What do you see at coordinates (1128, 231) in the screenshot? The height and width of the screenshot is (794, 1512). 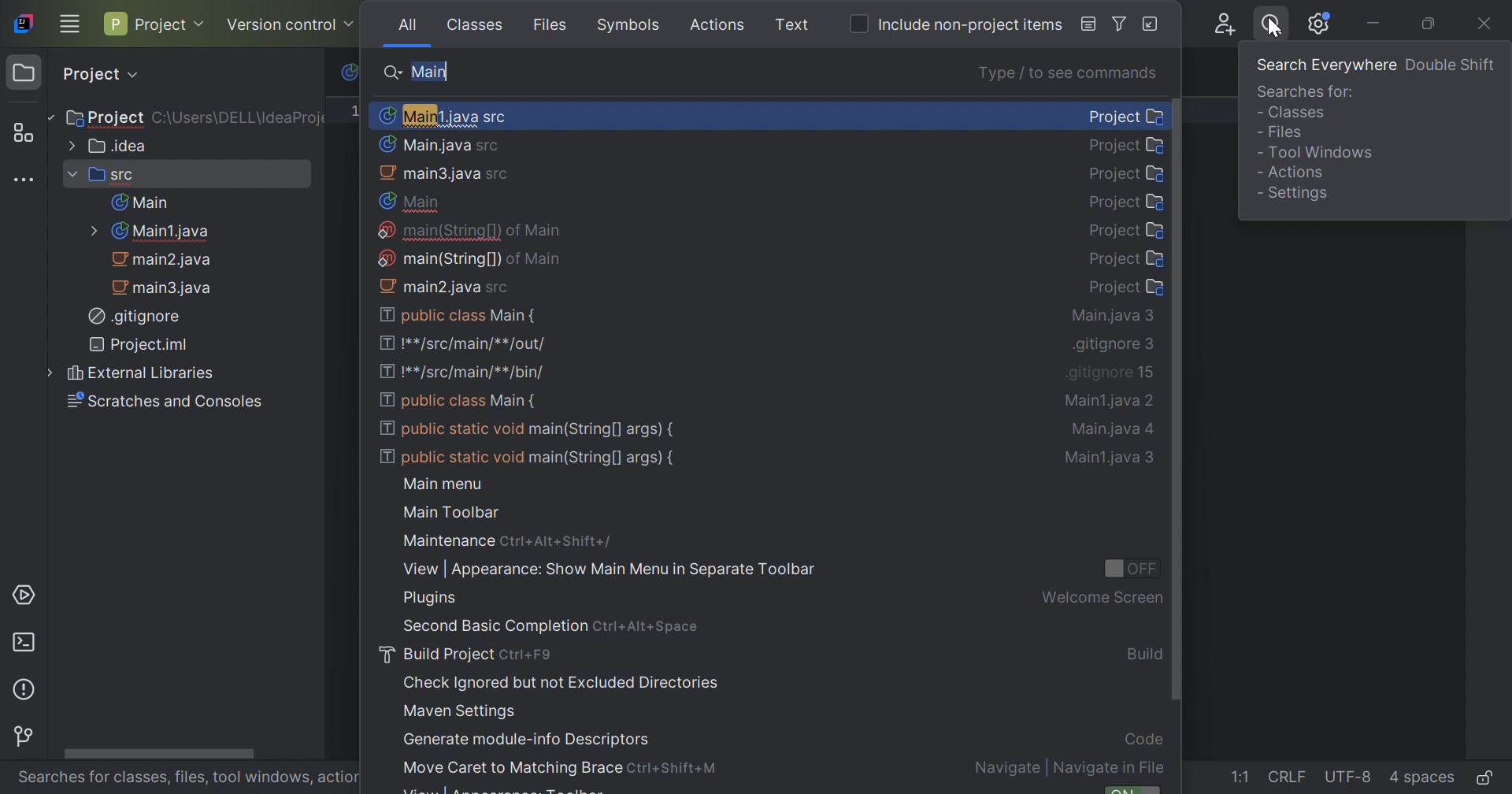 I see `Project` at bounding box center [1128, 231].